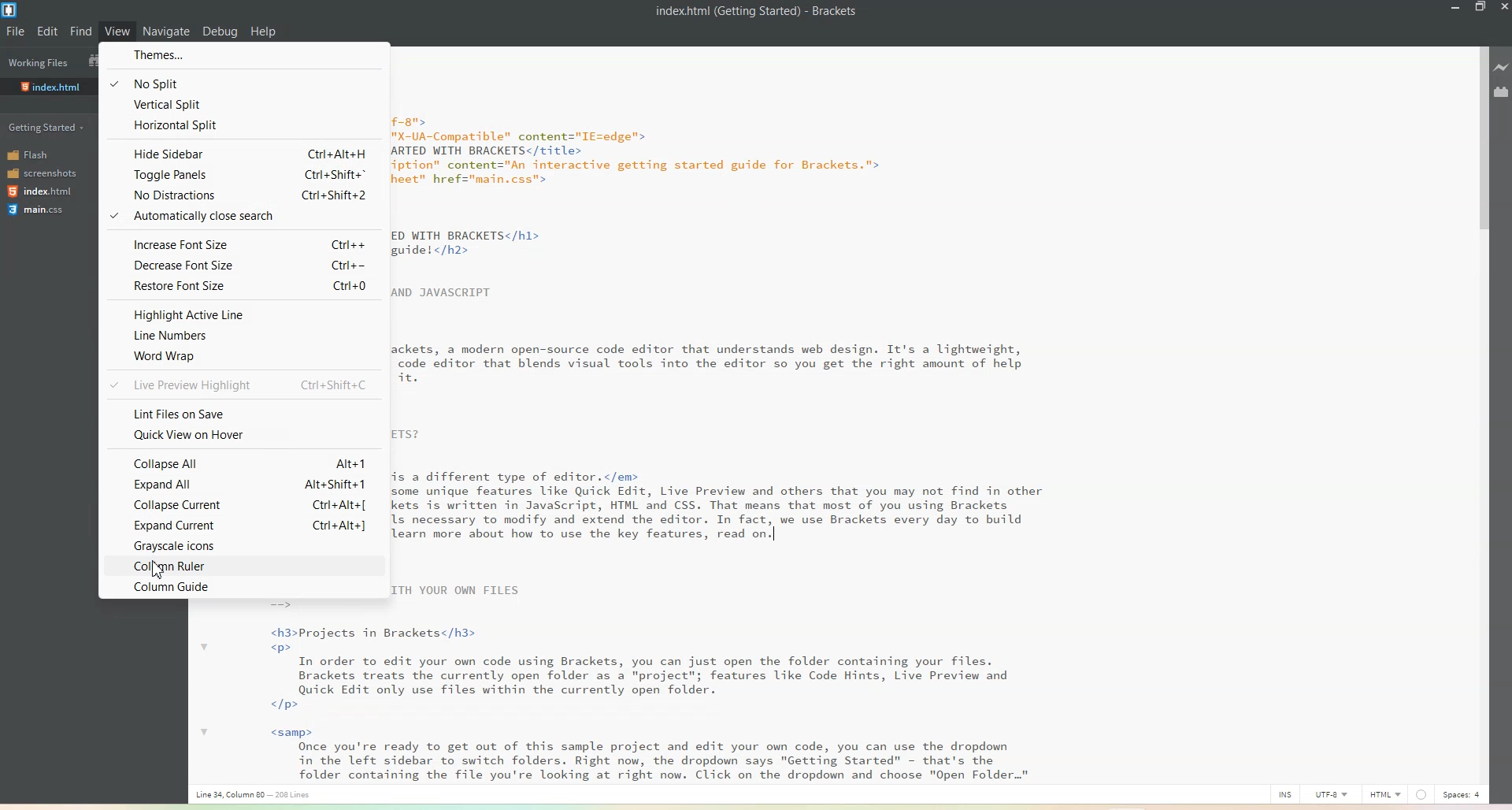  What do you see at coordinates (17, 31) in the screenshot?
I see `File` at bounding box center [17, 31].